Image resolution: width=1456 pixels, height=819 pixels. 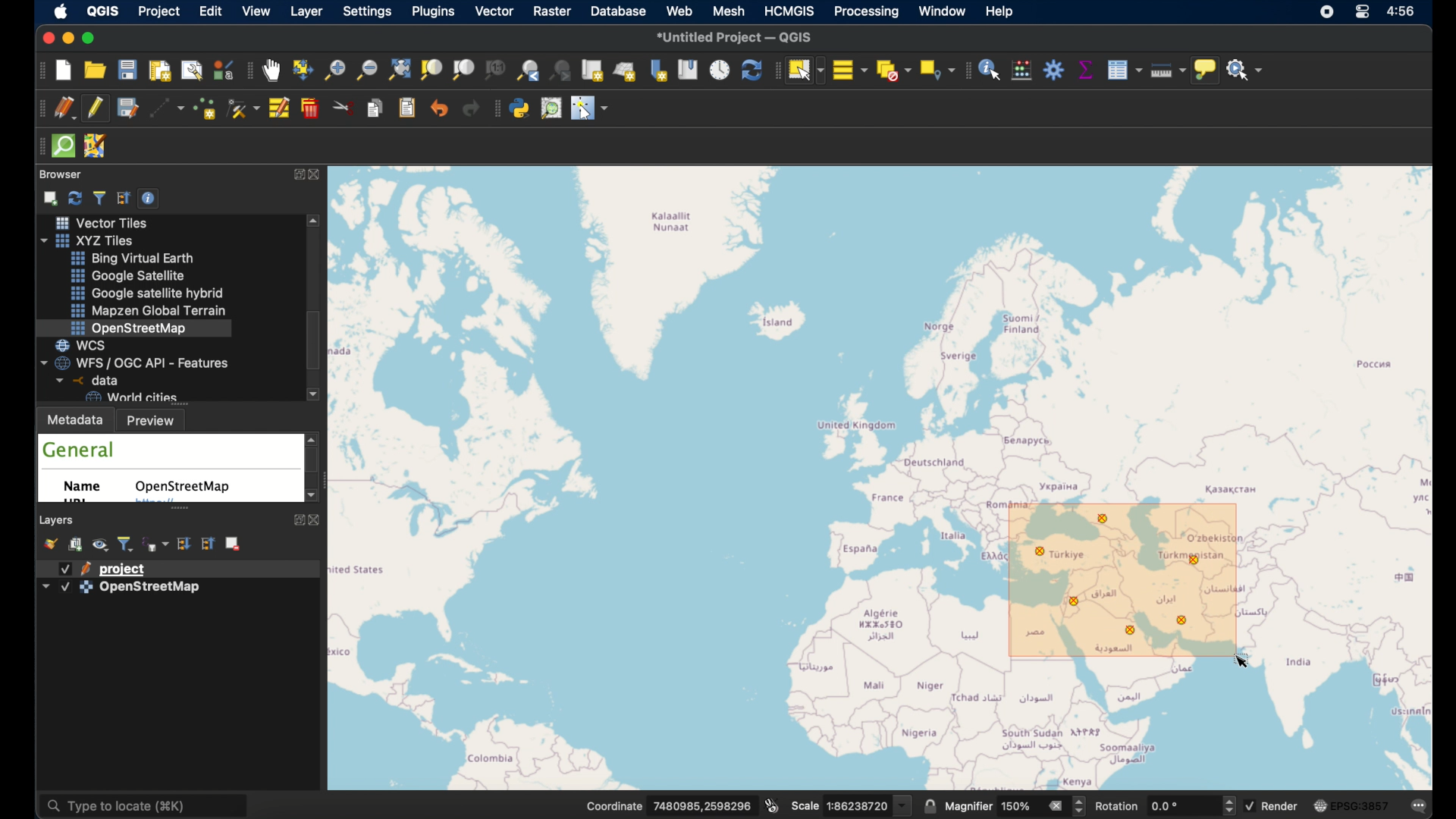 What do you see at coordinates (1081, 806) in the screenshot?
I see `Increase or decrease magnifier` at bounding box center [1081, 806].